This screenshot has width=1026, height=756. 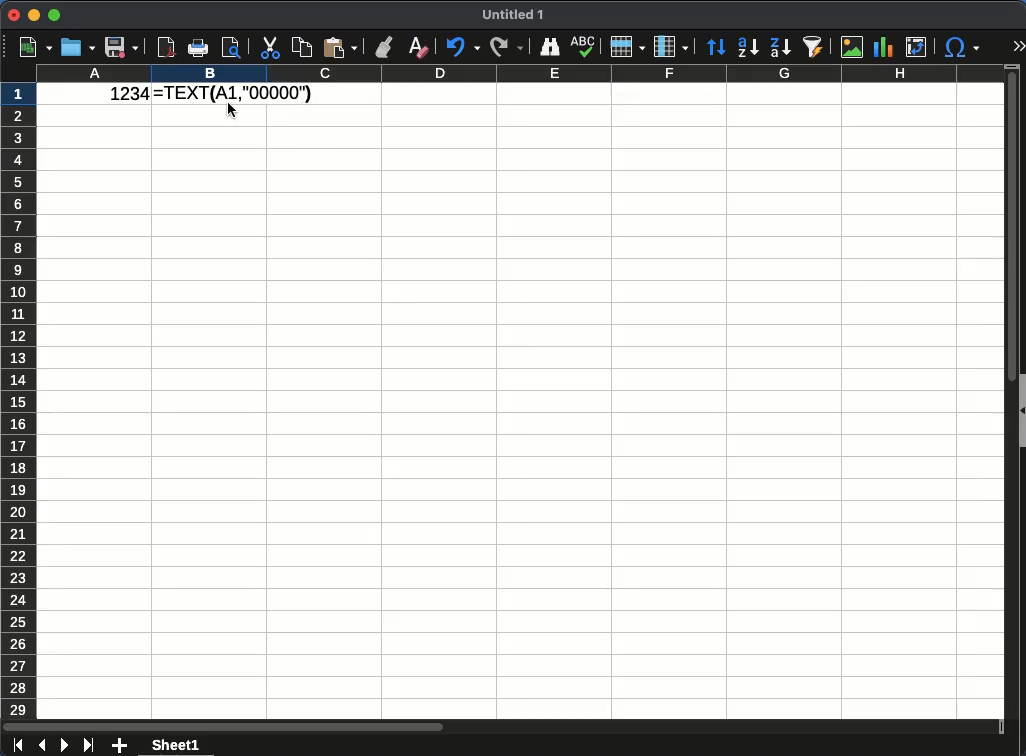 What do you see at coordinates (175, 746) in the screenshot?
I see `sheet 1` at bounding box center [175, 746].